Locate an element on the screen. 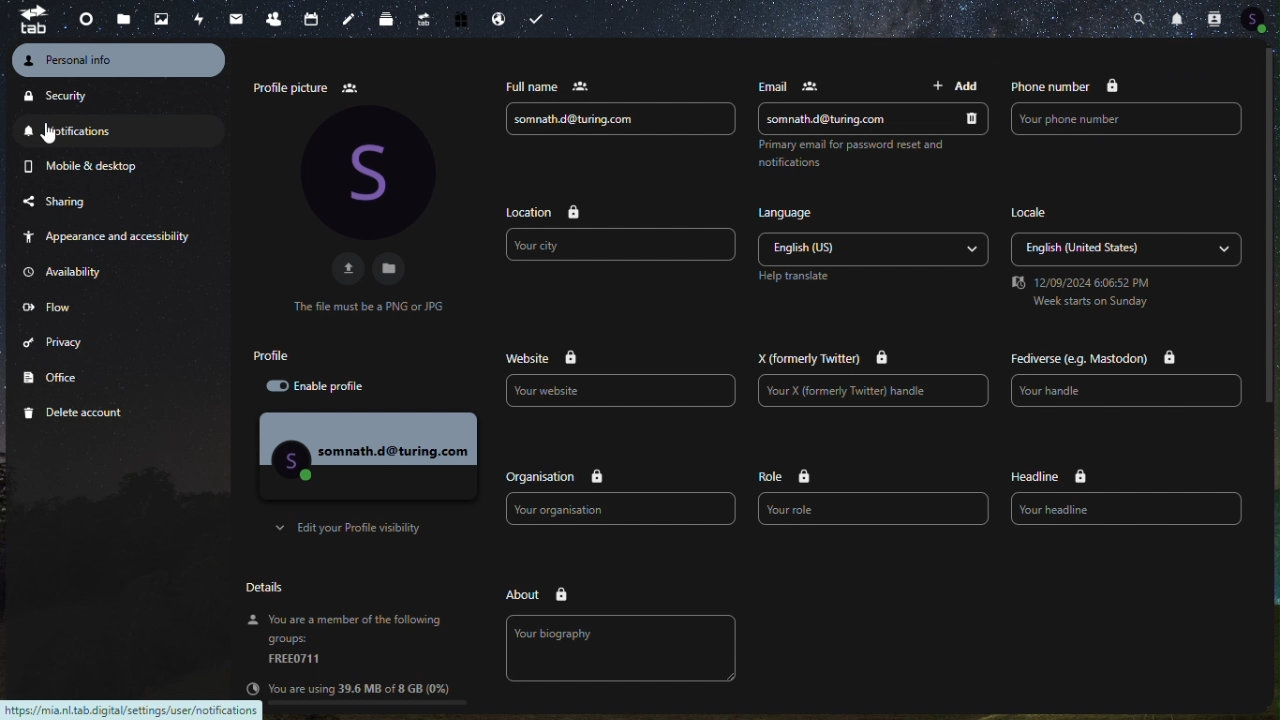 The height and width of the screenshot is (720, 1280). email hosting is located at coordinates (496, 18).